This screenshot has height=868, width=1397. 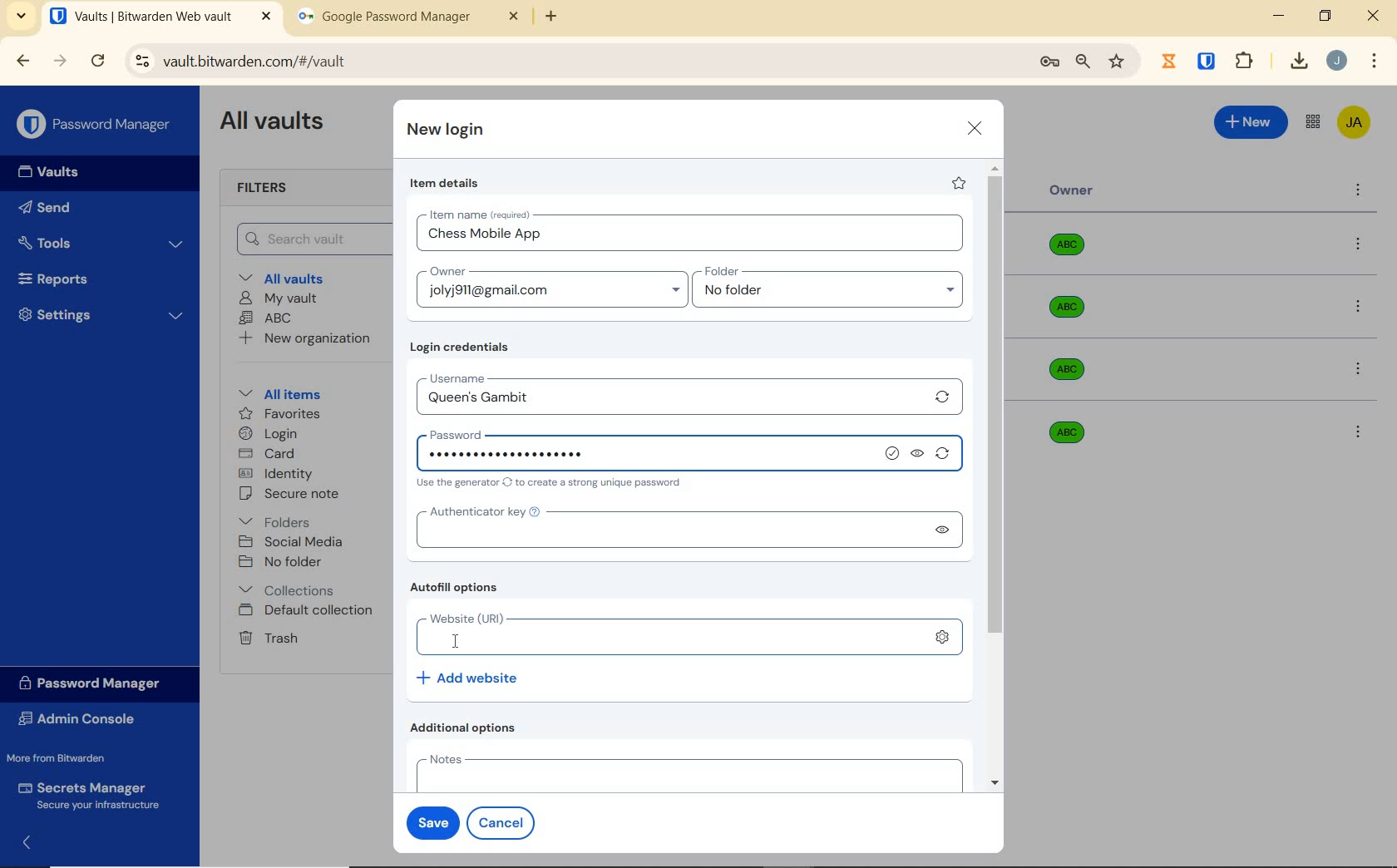 I want to click on Default collection, so click(x=309, y=611).